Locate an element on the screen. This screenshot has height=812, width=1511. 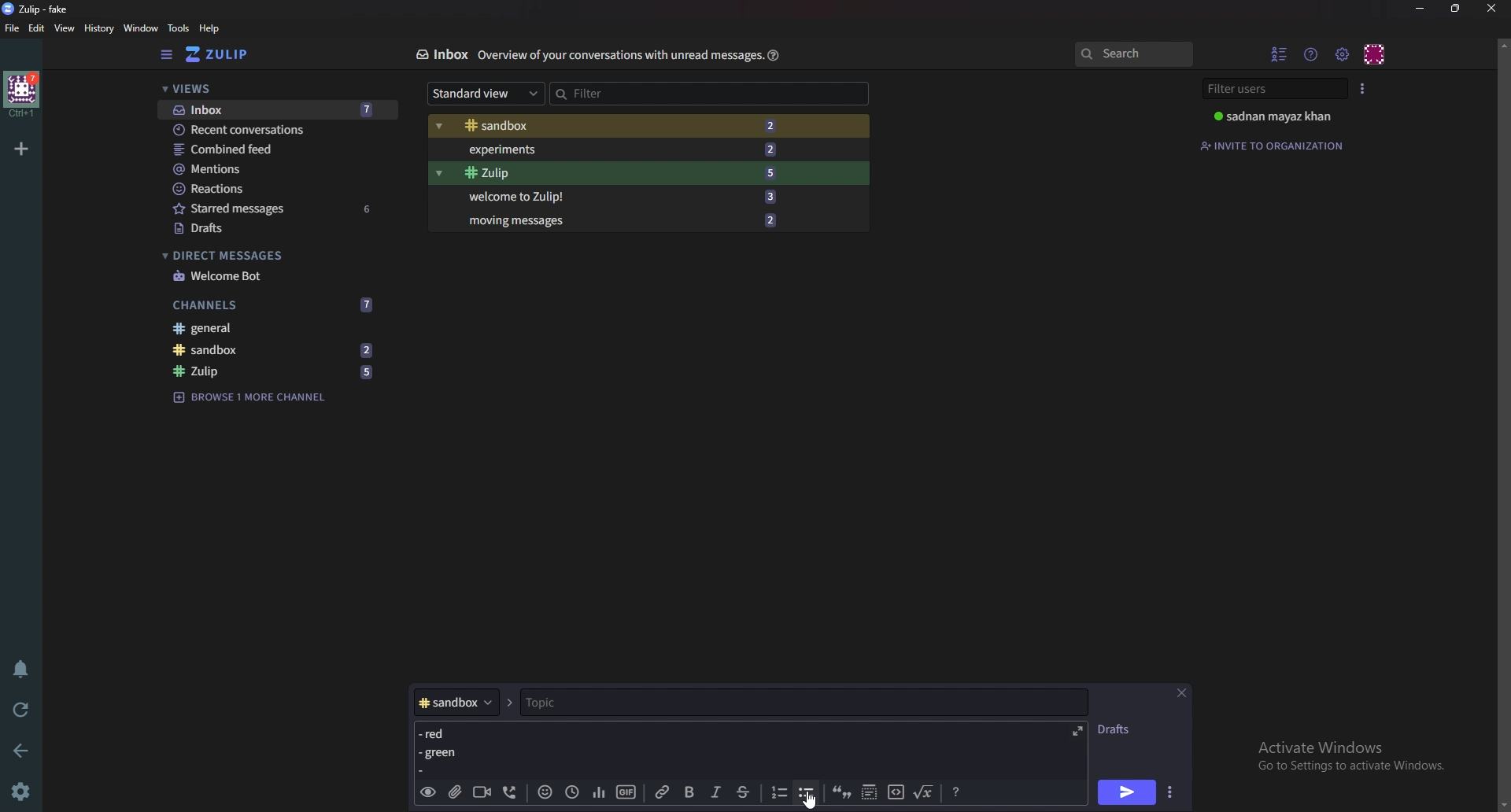
Home is located at coordinates (23, 94).